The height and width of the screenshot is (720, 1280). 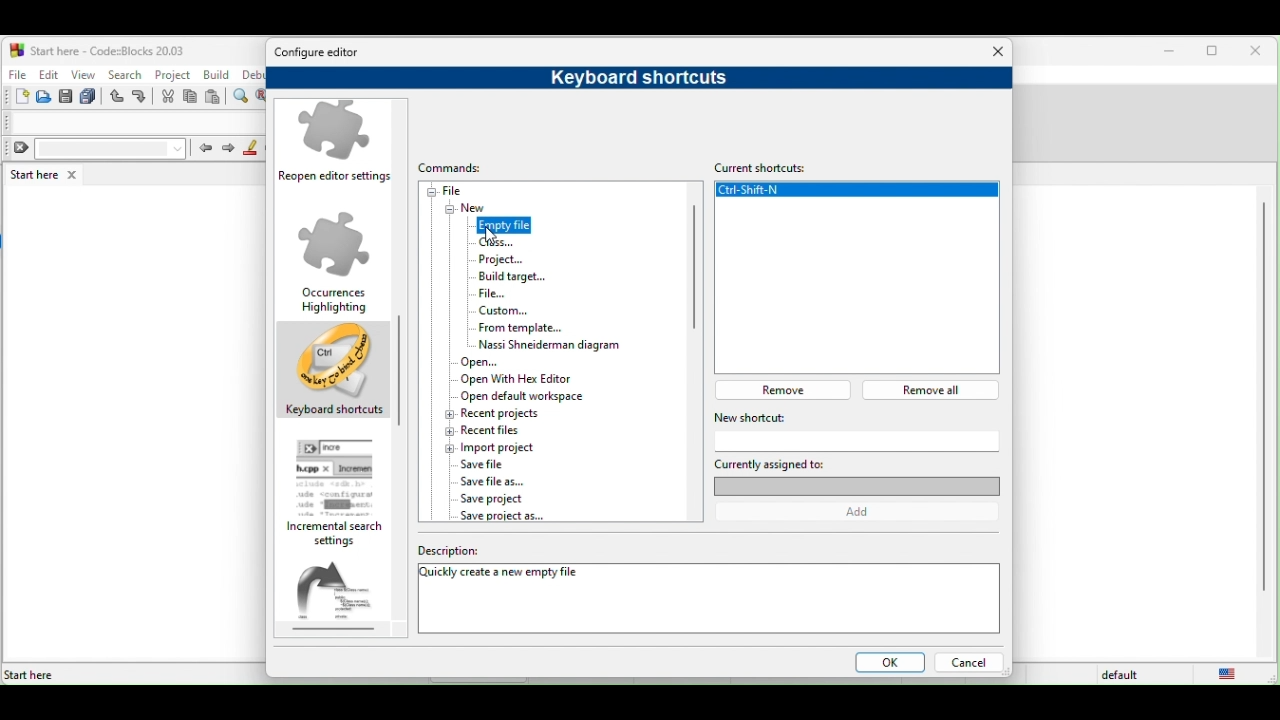 I want to click on scroll bar moved, so click(x=398, y=354).